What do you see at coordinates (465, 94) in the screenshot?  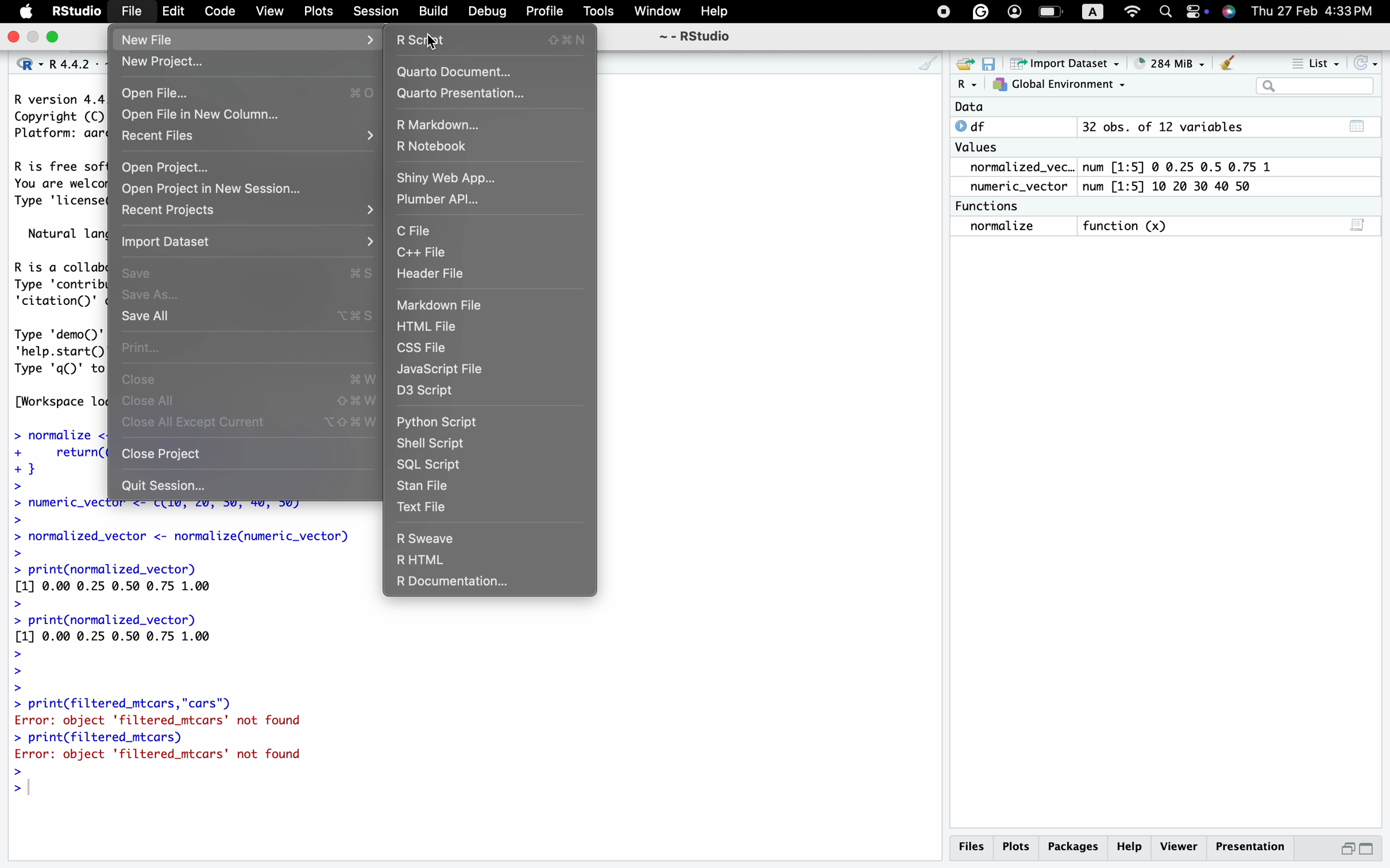 I see `Quarto Presentation...` at bounding box center [465, 94].